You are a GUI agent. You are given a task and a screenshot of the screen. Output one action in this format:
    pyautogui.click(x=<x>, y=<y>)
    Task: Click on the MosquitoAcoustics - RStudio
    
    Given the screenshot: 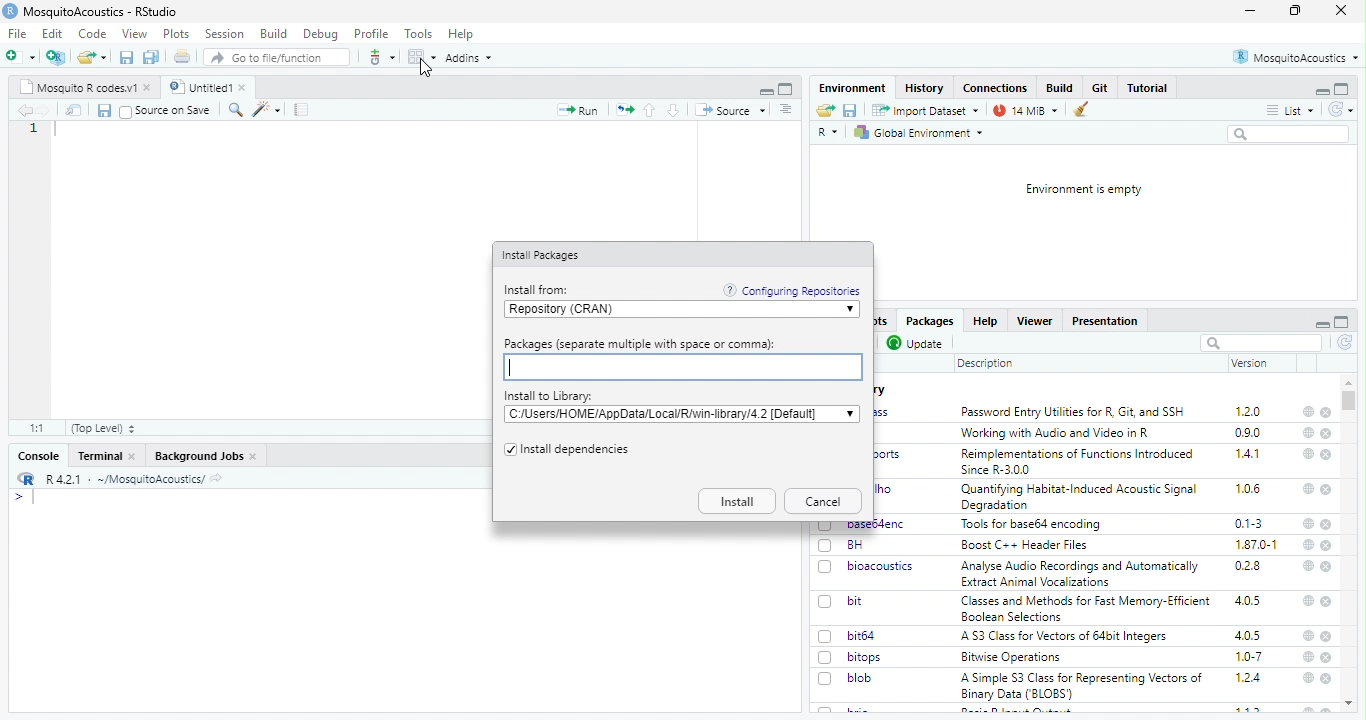 What is the action you would take?
    pyautogui.click(x=101, y=12)
    